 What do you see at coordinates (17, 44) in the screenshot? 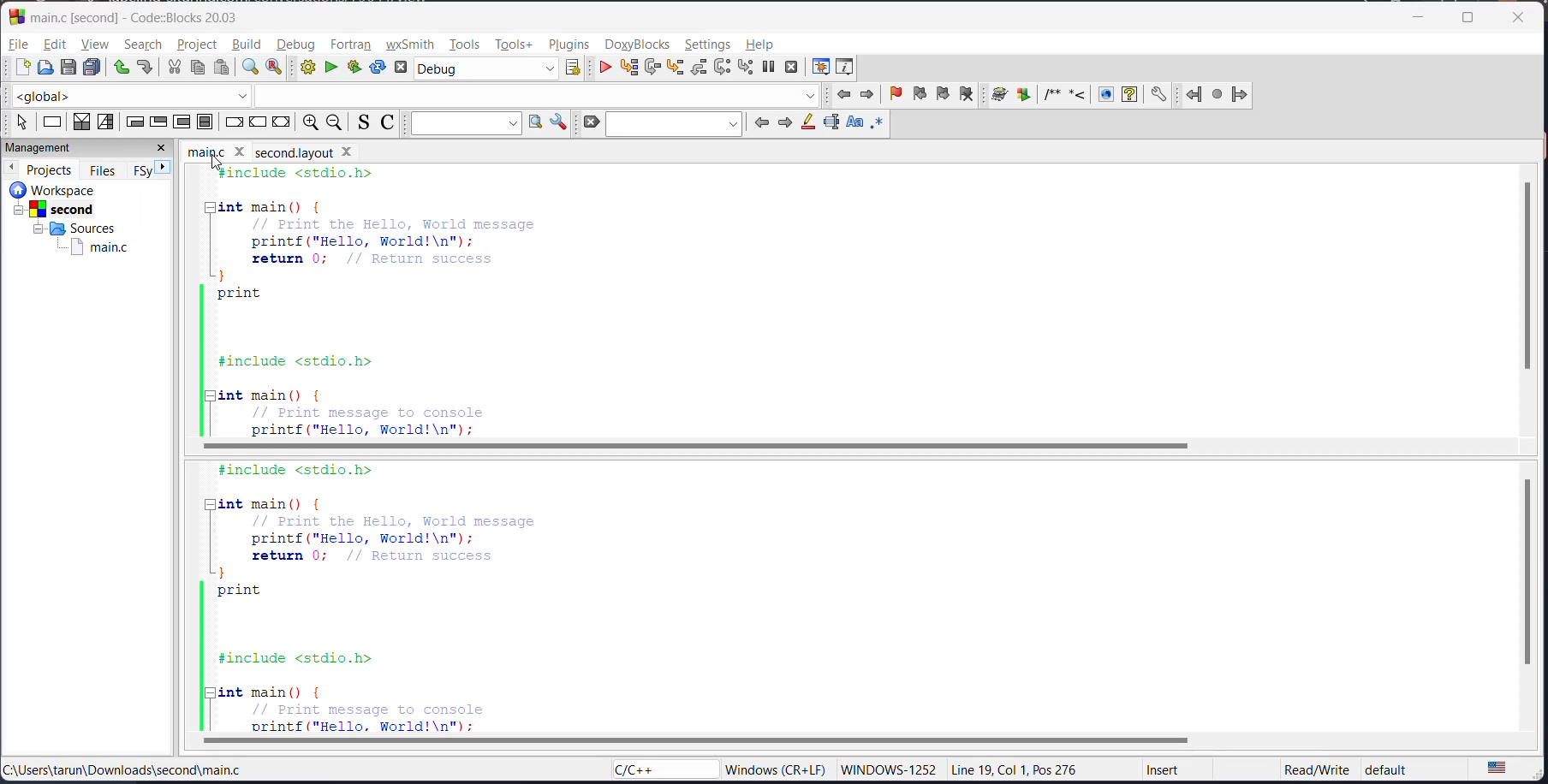
I see `file` at bounding box center [17, 44].